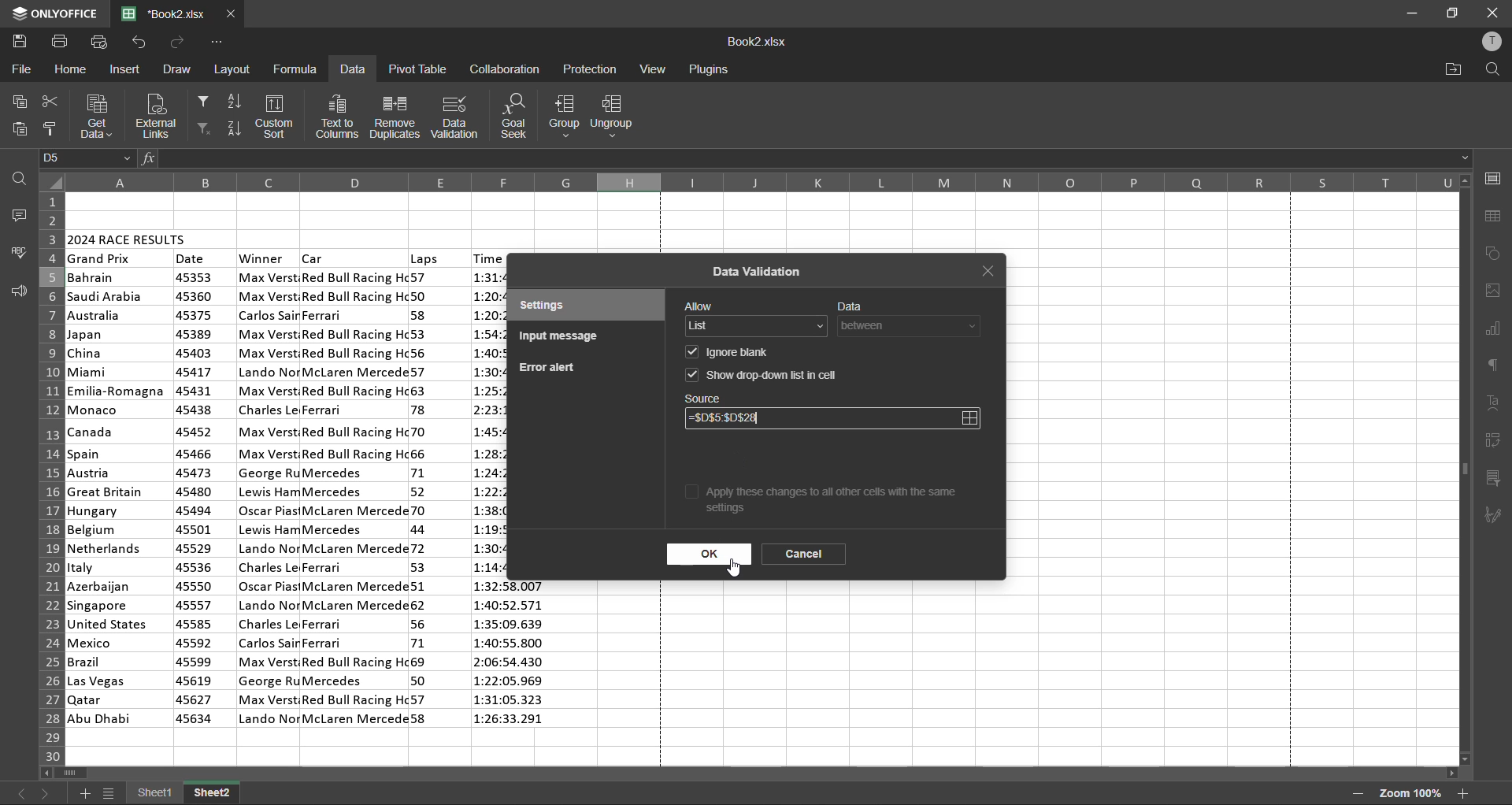  What do you see at coordinates (1463, 793) in the screenshot?
I see `zoom in` at bounding box center [1463, 793].